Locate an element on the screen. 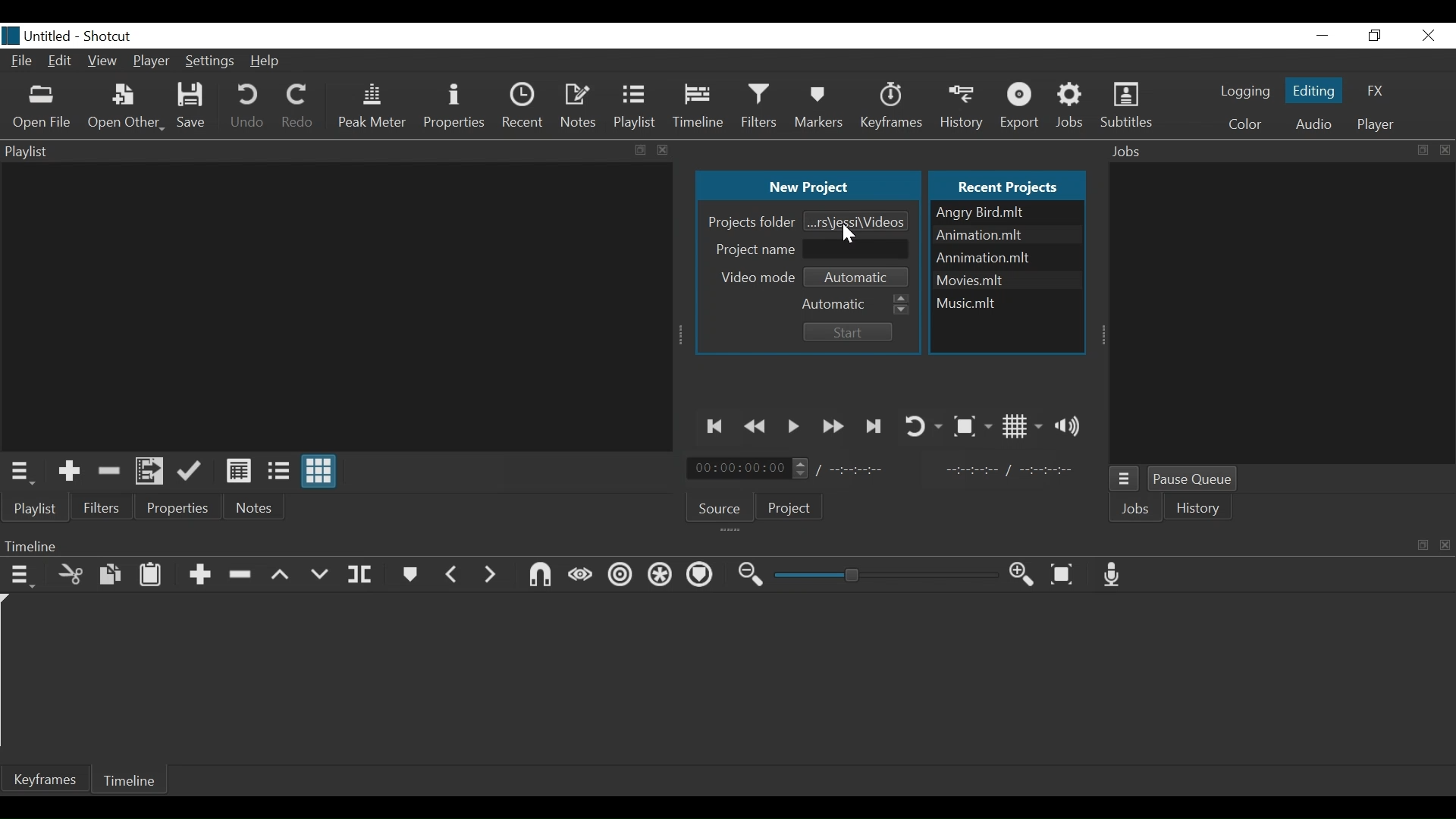 The width and height of the screenshot is (1456, 819). Open Other is located at coordinates (125, 108).